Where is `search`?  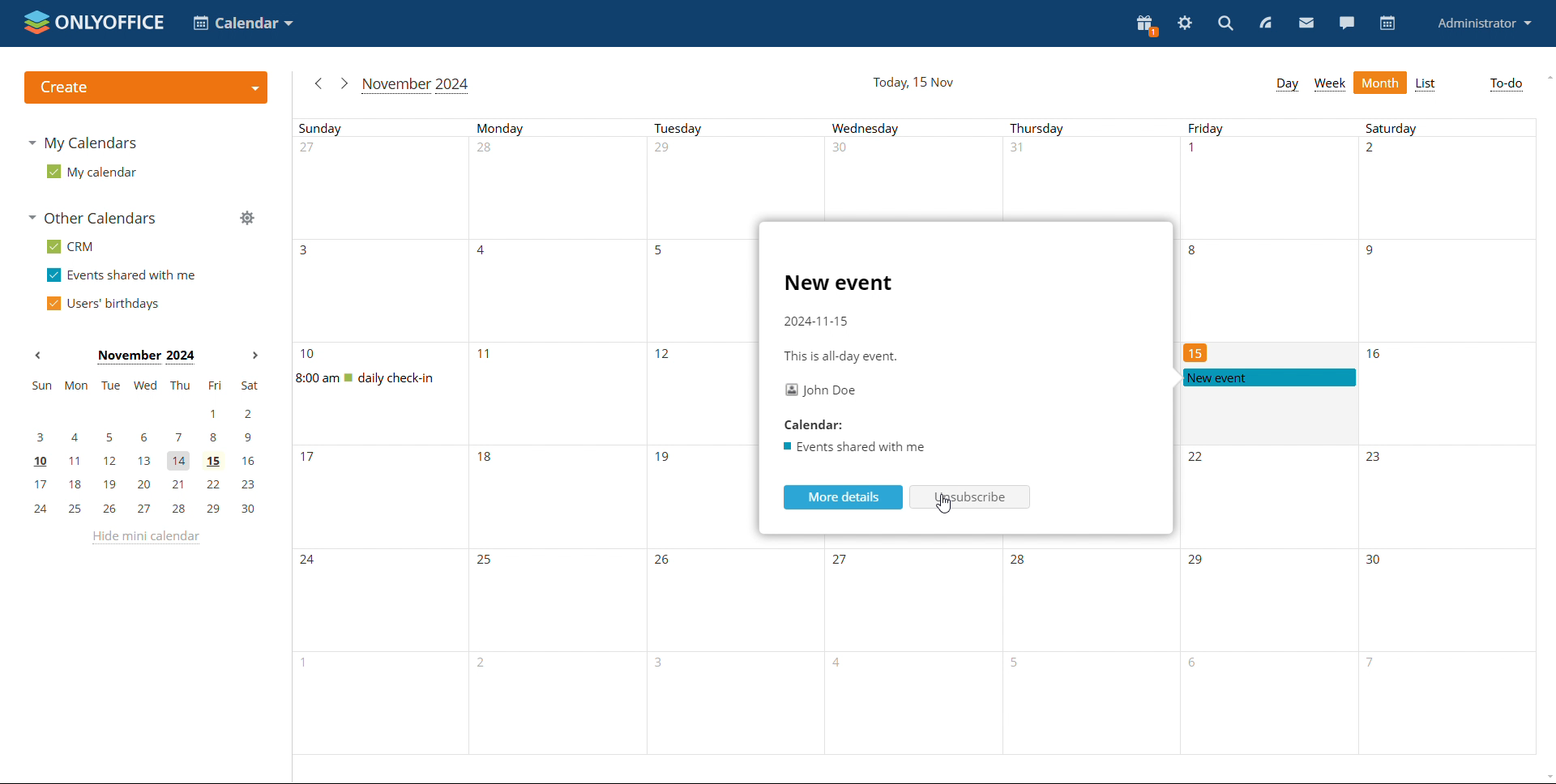 search is located at coordinates (1225, 23).